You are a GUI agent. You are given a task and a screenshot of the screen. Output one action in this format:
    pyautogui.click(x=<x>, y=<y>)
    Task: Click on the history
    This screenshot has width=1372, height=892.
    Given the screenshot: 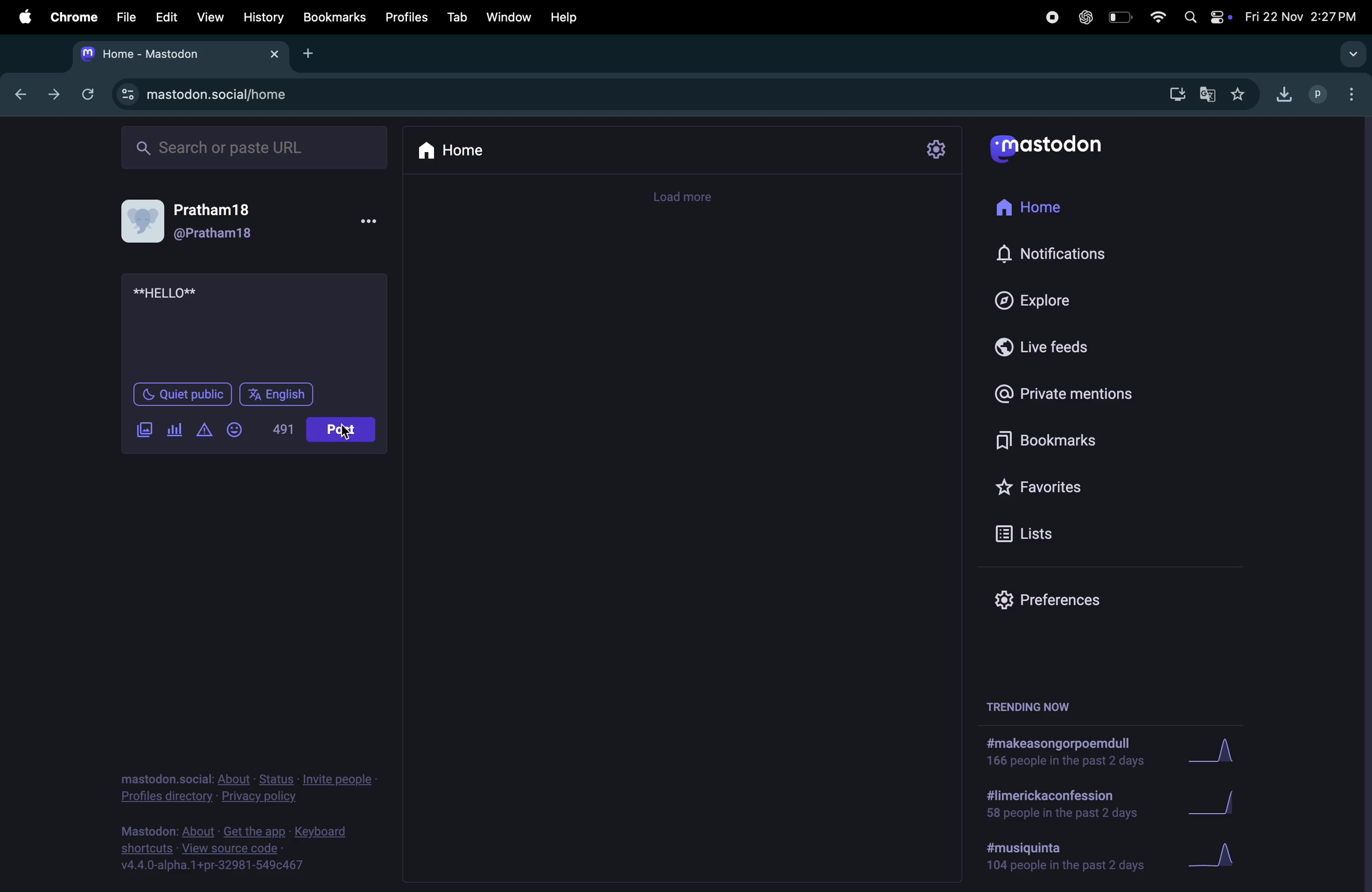 What is the action you would take?
    pyautogui.click(x=262, y=16)
    